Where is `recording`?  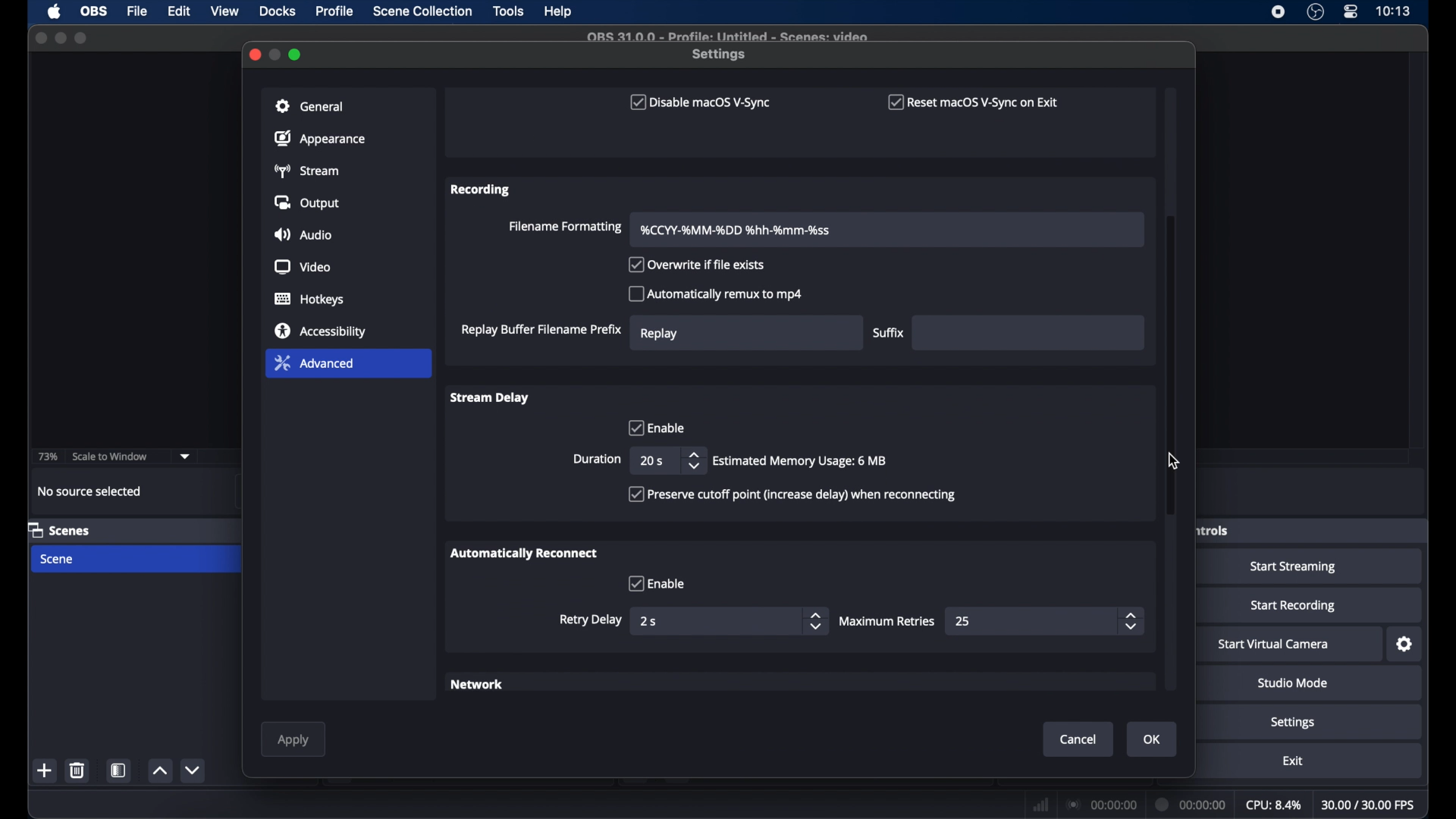 recording is located at coordinates (482, 190).